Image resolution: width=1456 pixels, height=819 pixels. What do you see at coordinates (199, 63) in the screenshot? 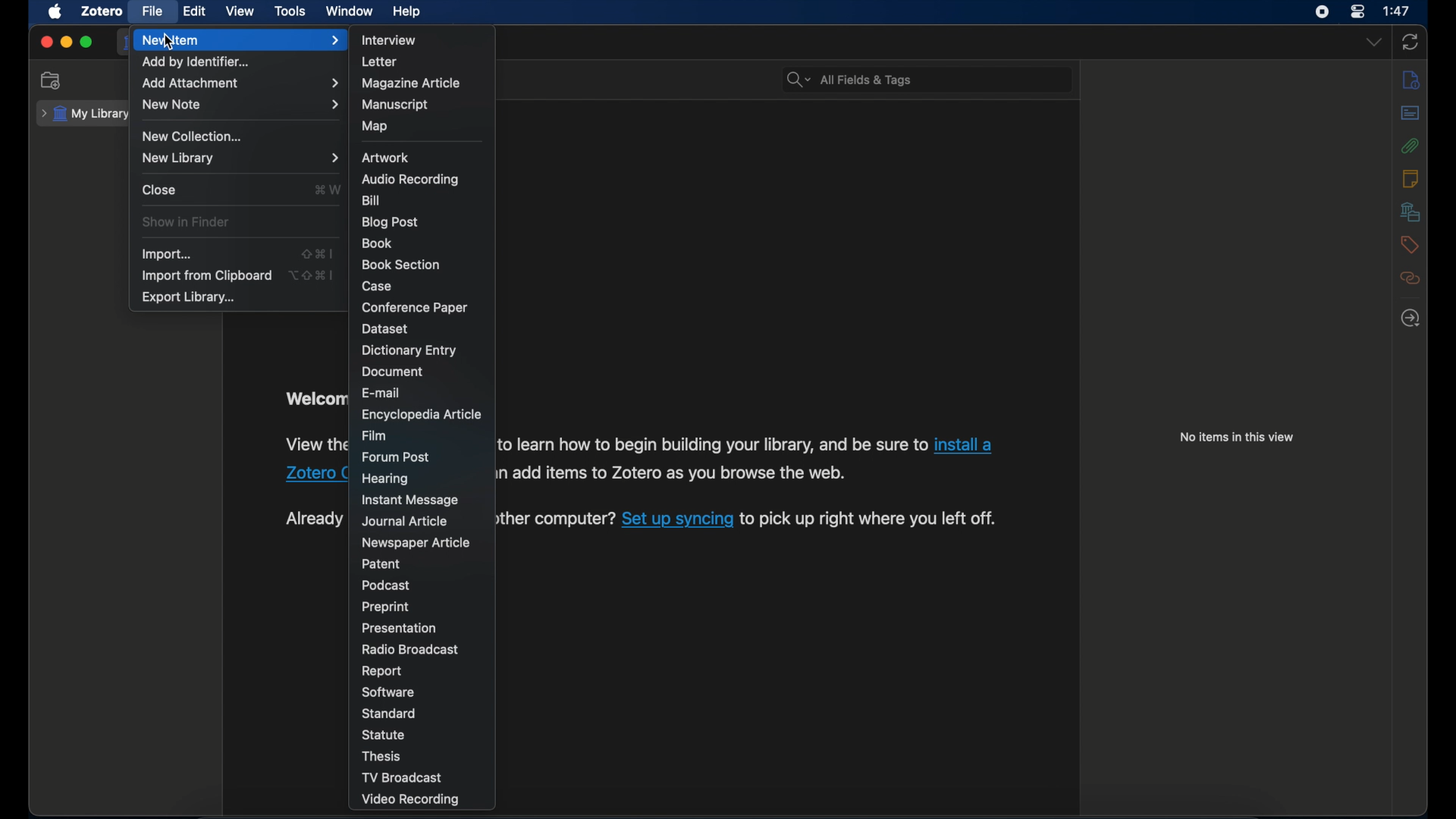
I see `add by identifier` at bounding box center [199, 63].